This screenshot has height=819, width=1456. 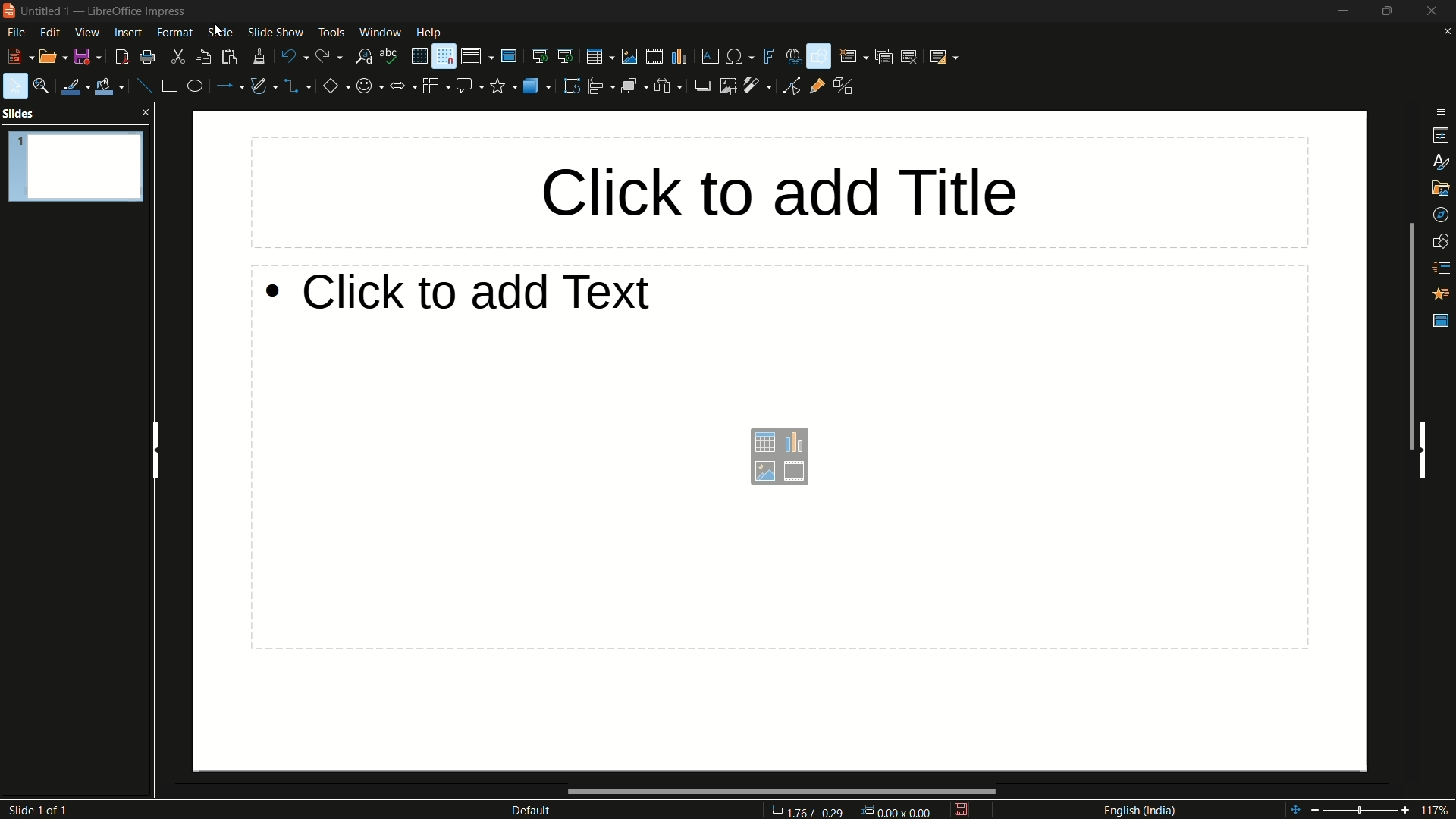 What do you see at coordinates (895, 810) in the screenshot?
I see `width & height of selected object` at bounding box center [895, 810].